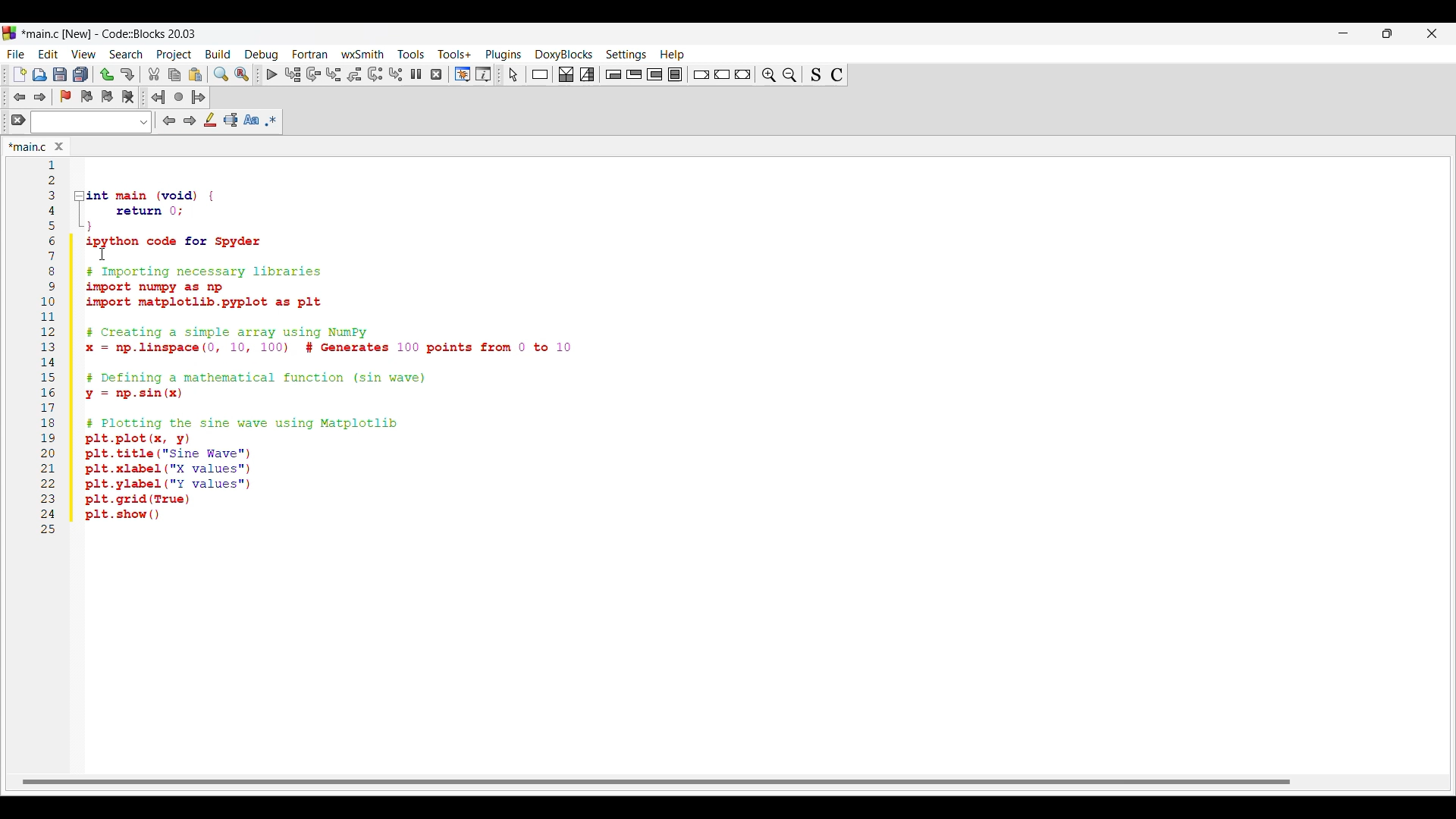  What do you see at coordinates (587, 74) in the screenshot?
I see `Selection` at bounding box center [587, 74].